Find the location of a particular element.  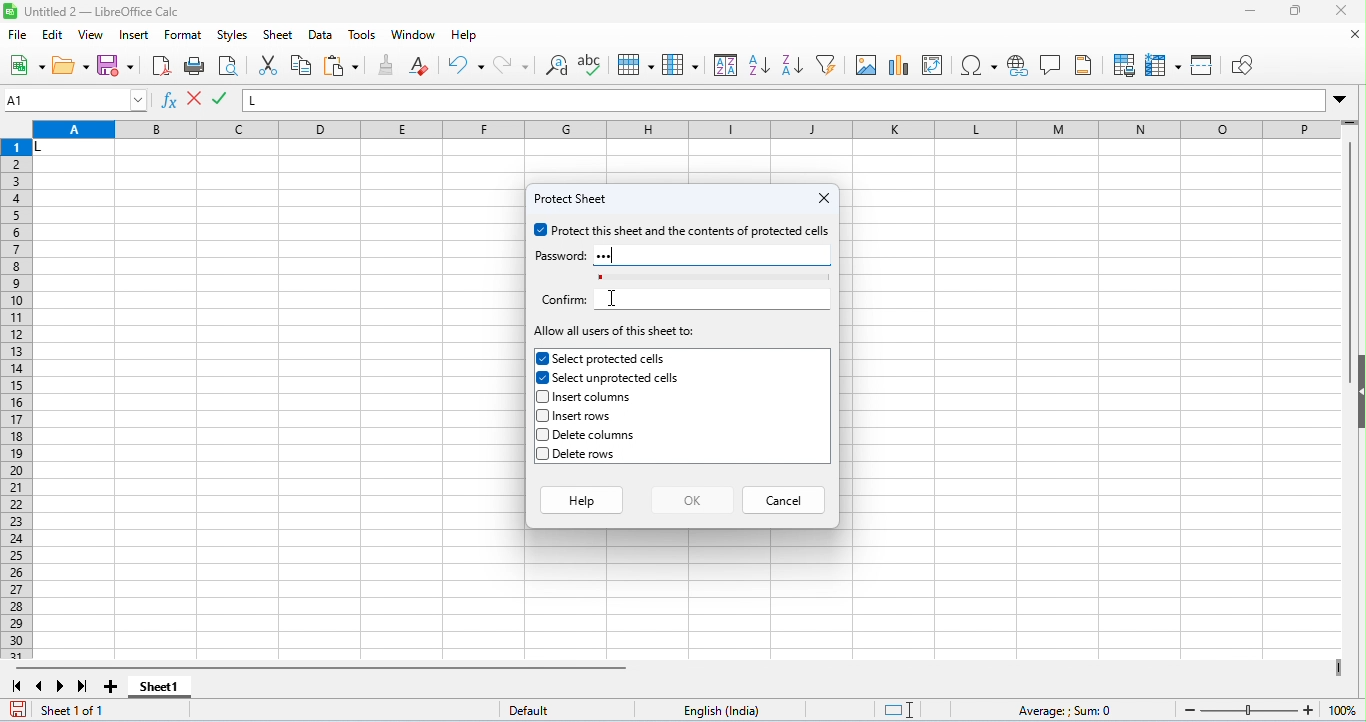

split window is located at coordinates (1204, 64).